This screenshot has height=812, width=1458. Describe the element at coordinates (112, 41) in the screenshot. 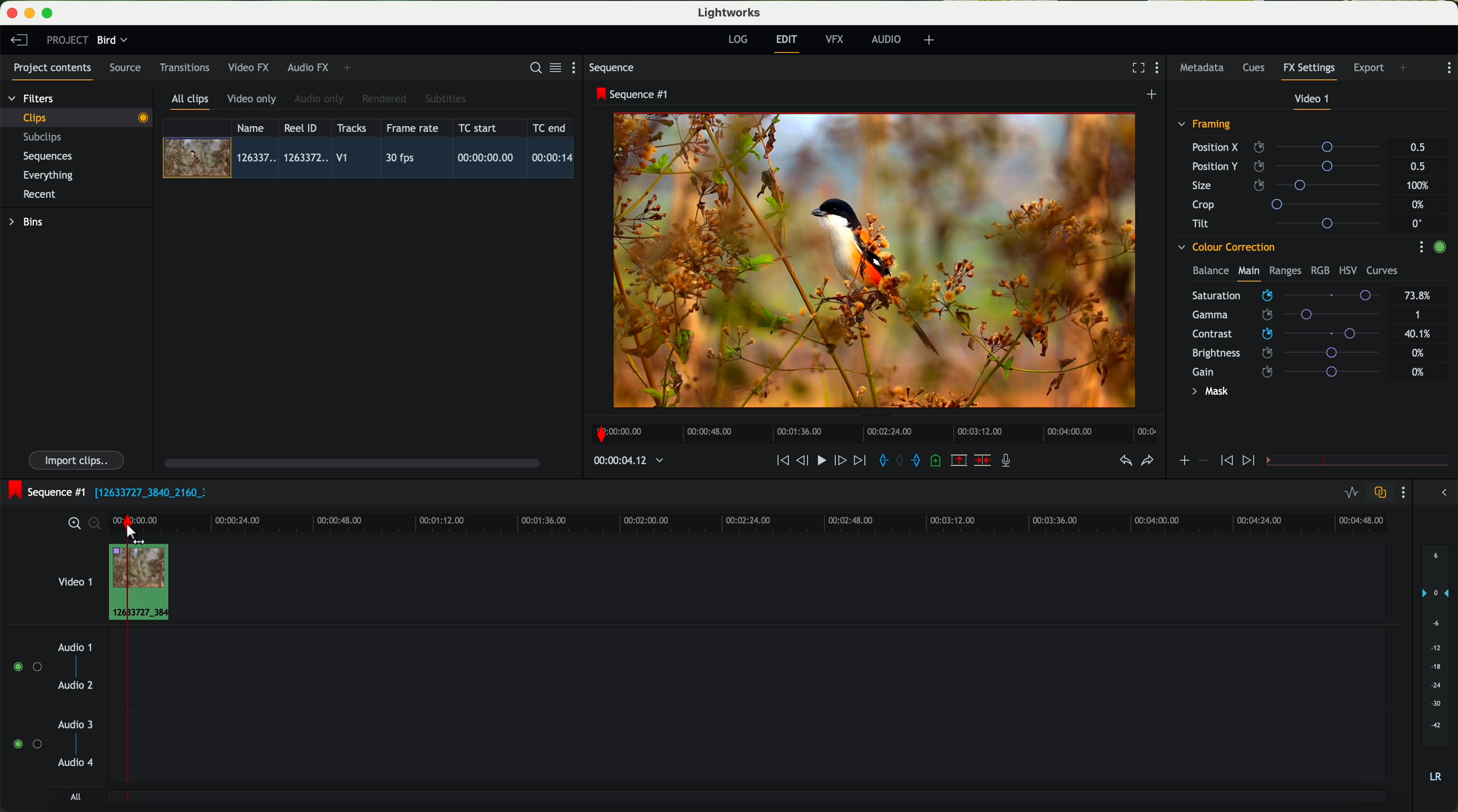

I see `bird` at that location.